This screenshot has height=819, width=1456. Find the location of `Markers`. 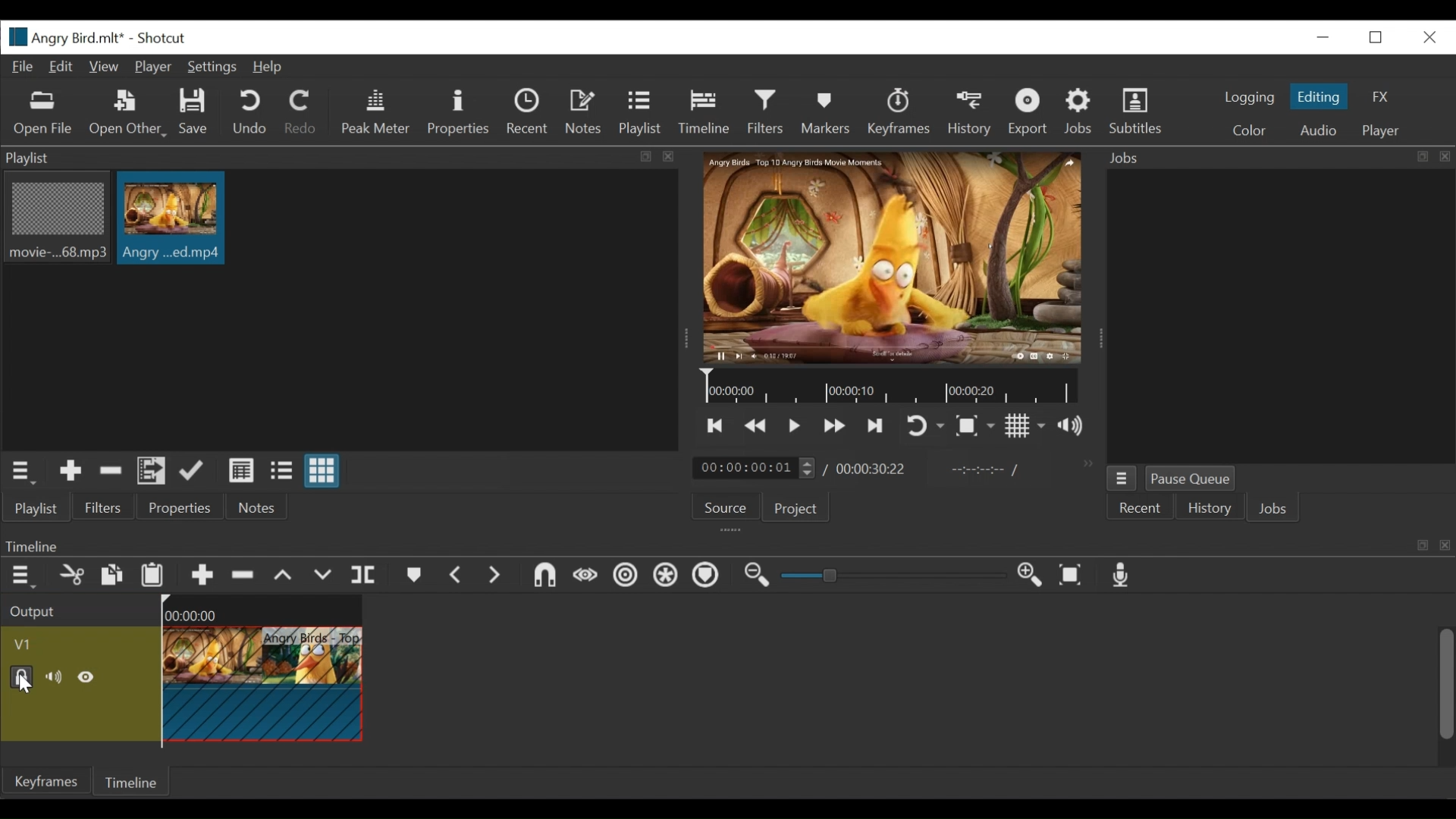

Markers is located at coordinates (823, 113).